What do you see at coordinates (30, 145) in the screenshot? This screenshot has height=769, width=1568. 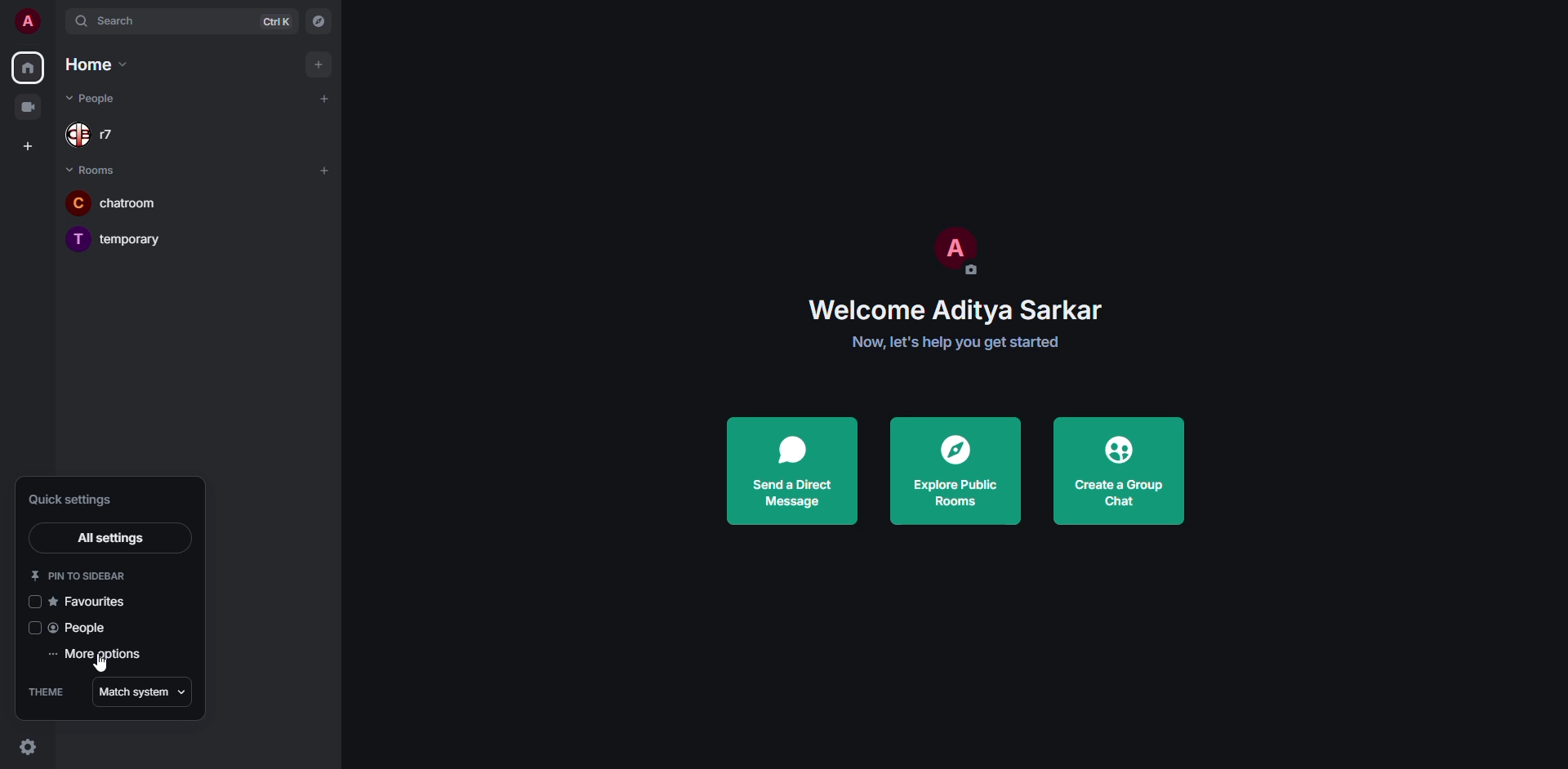 I see `create space` at bounding box center [30, 145].